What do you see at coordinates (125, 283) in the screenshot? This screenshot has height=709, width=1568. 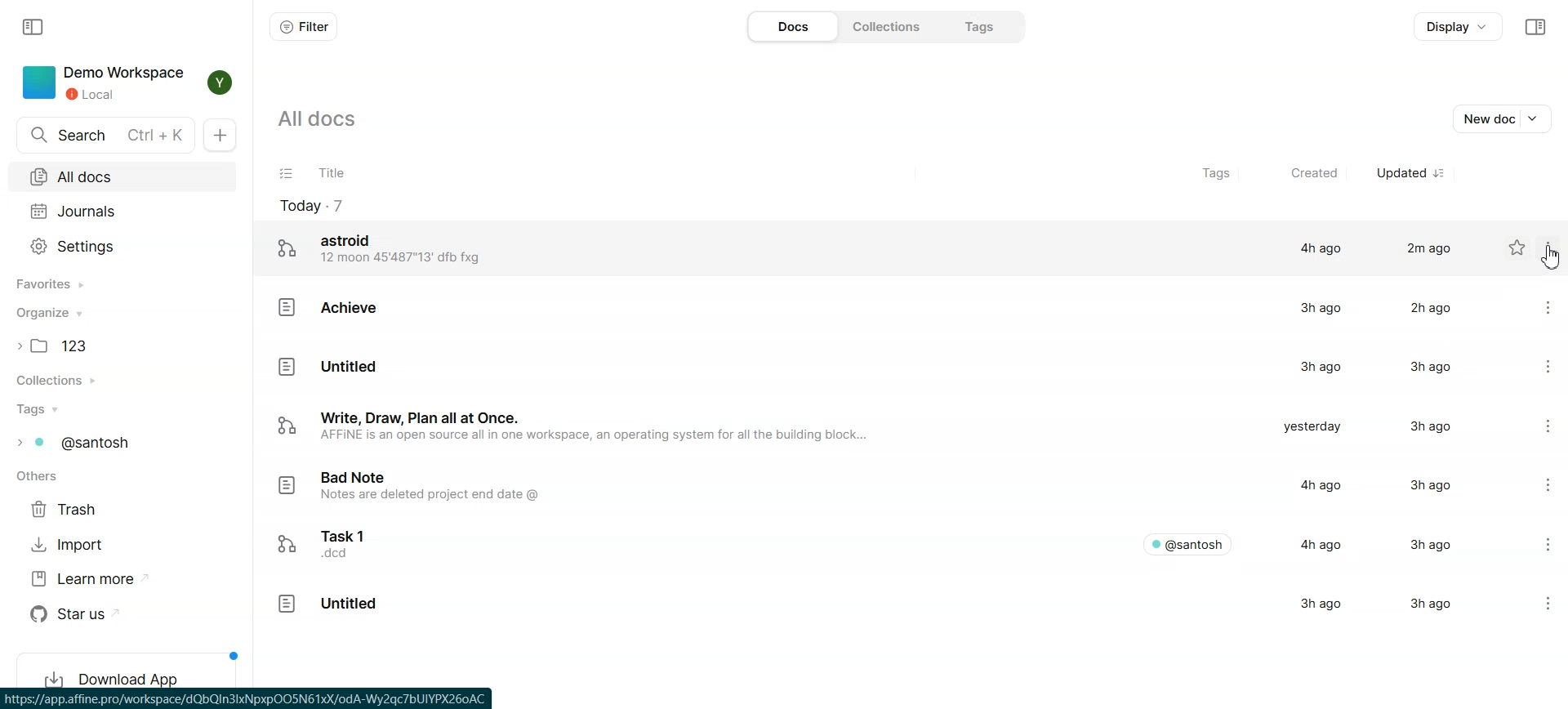 I see `Favorites` at bounding box center [125, 283].